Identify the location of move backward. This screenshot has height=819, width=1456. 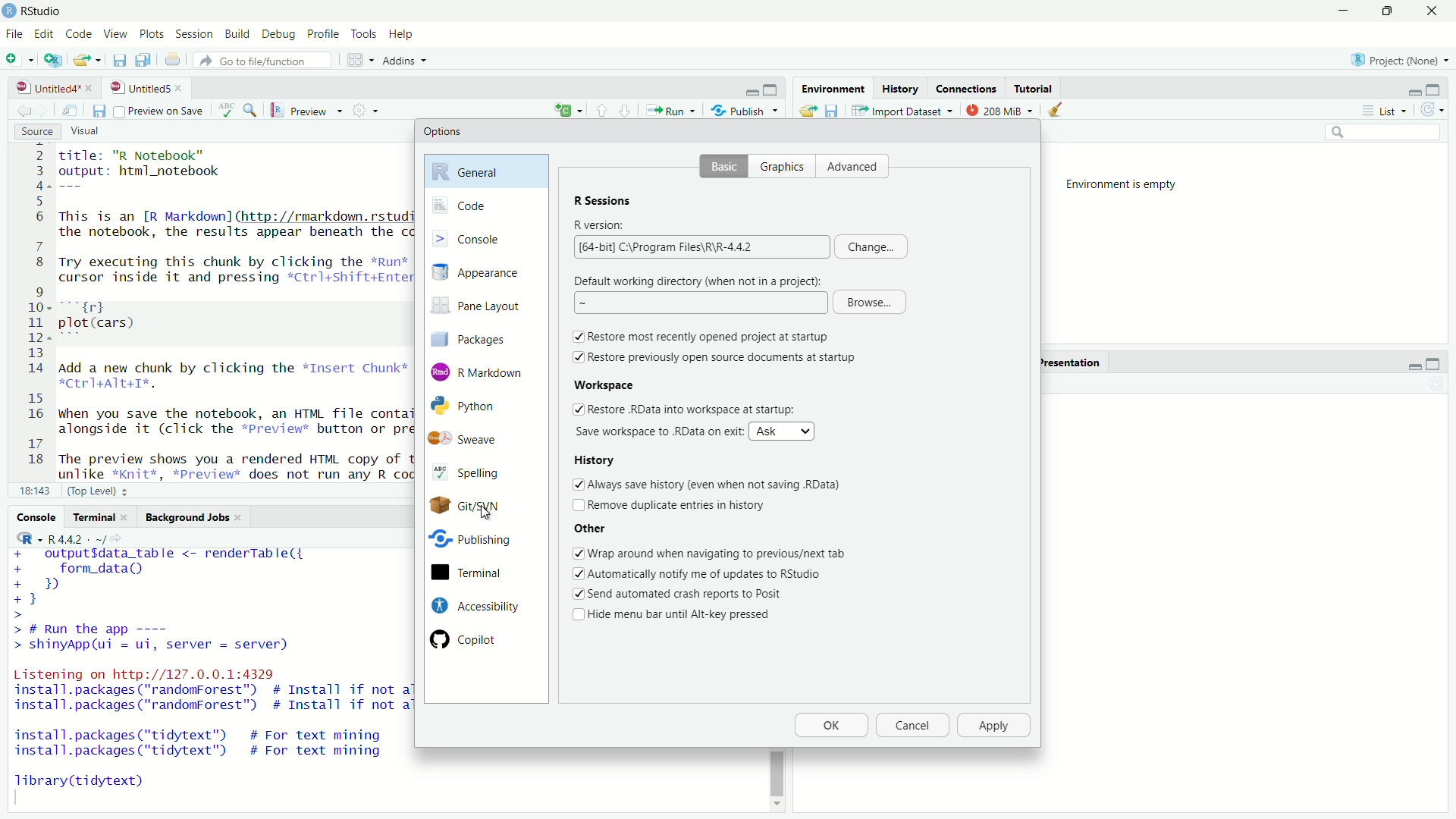
(44, 110).